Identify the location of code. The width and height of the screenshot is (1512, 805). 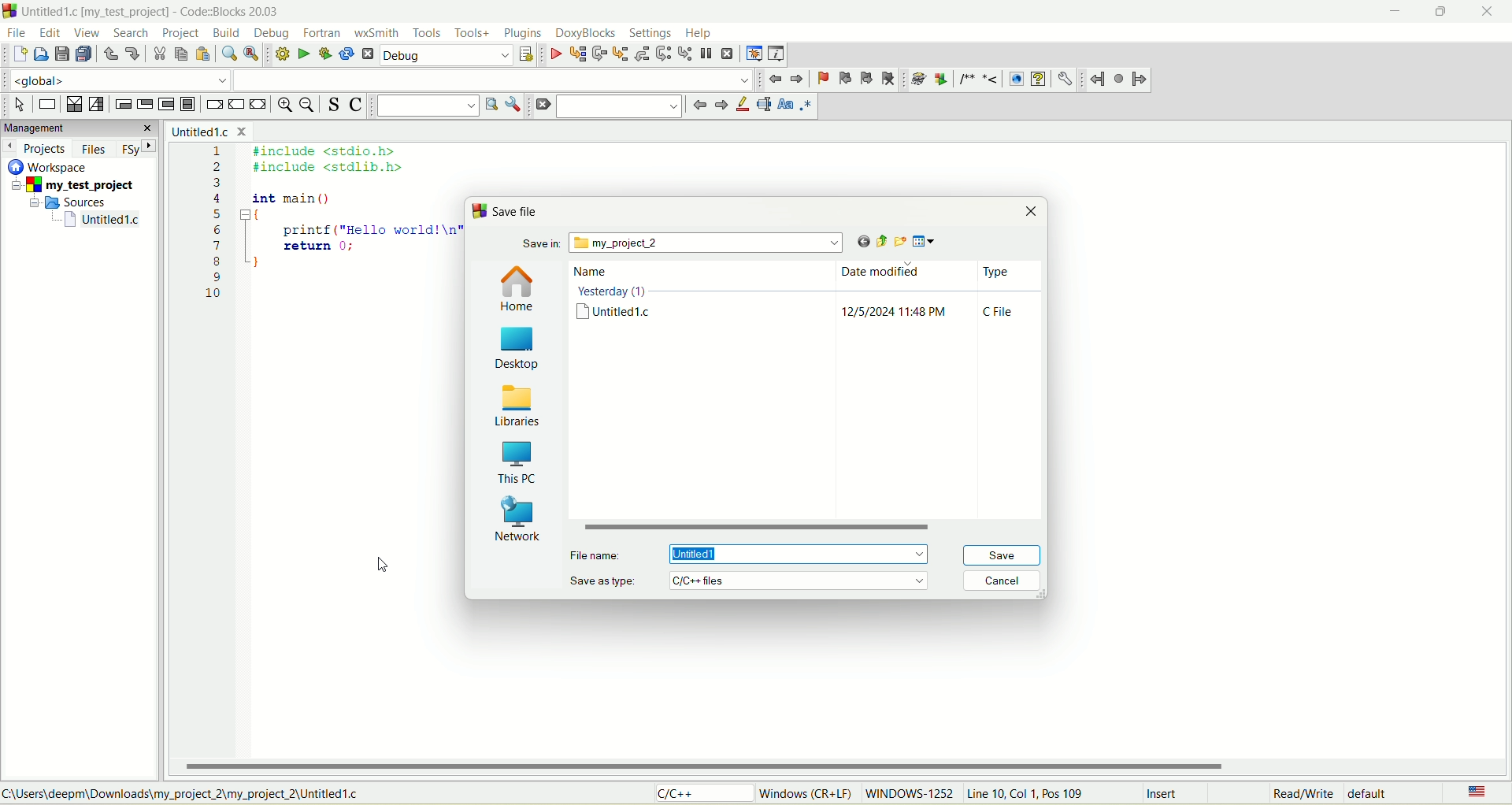
(325, 236).